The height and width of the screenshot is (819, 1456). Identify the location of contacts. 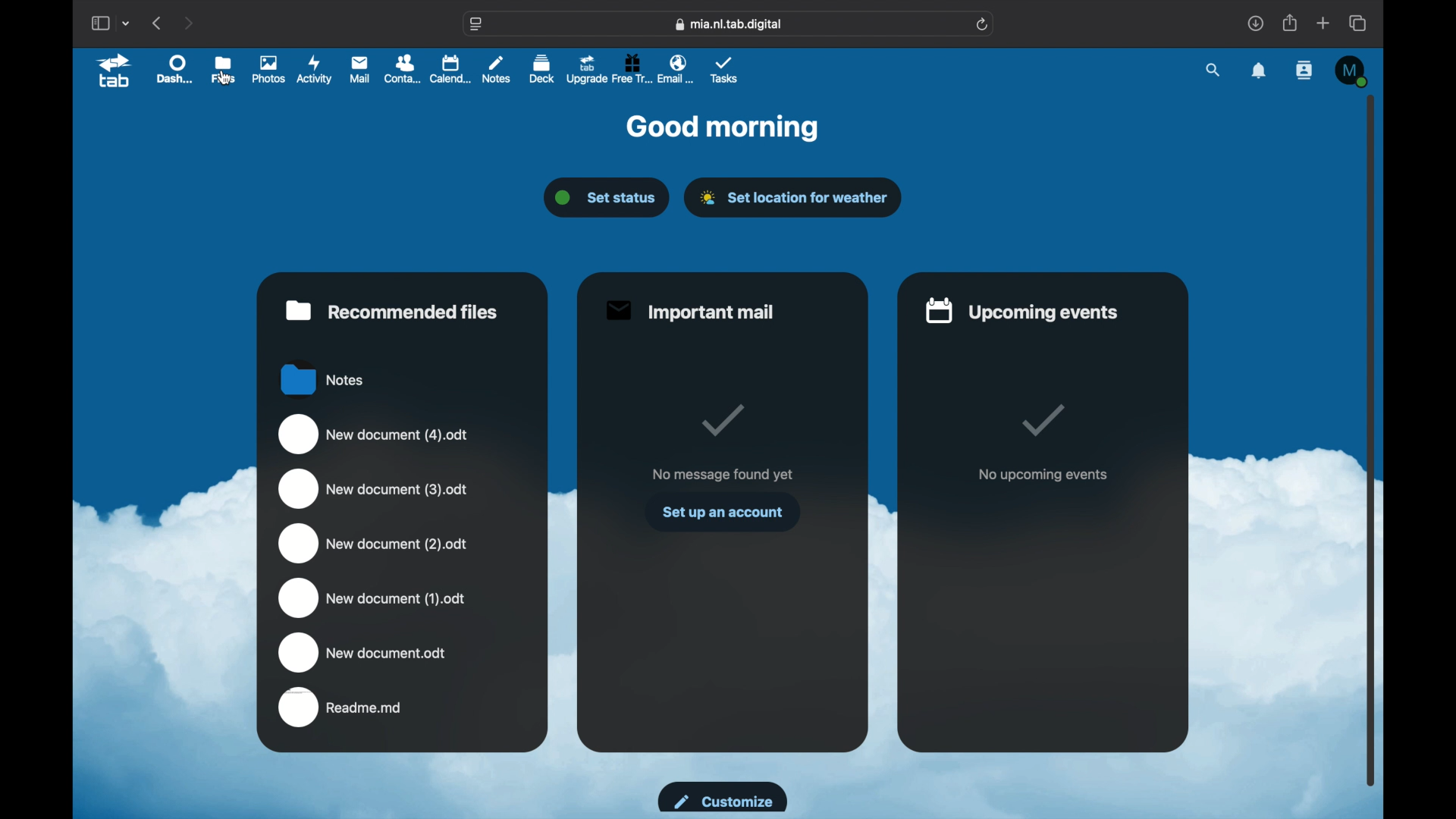
(1304, 71).